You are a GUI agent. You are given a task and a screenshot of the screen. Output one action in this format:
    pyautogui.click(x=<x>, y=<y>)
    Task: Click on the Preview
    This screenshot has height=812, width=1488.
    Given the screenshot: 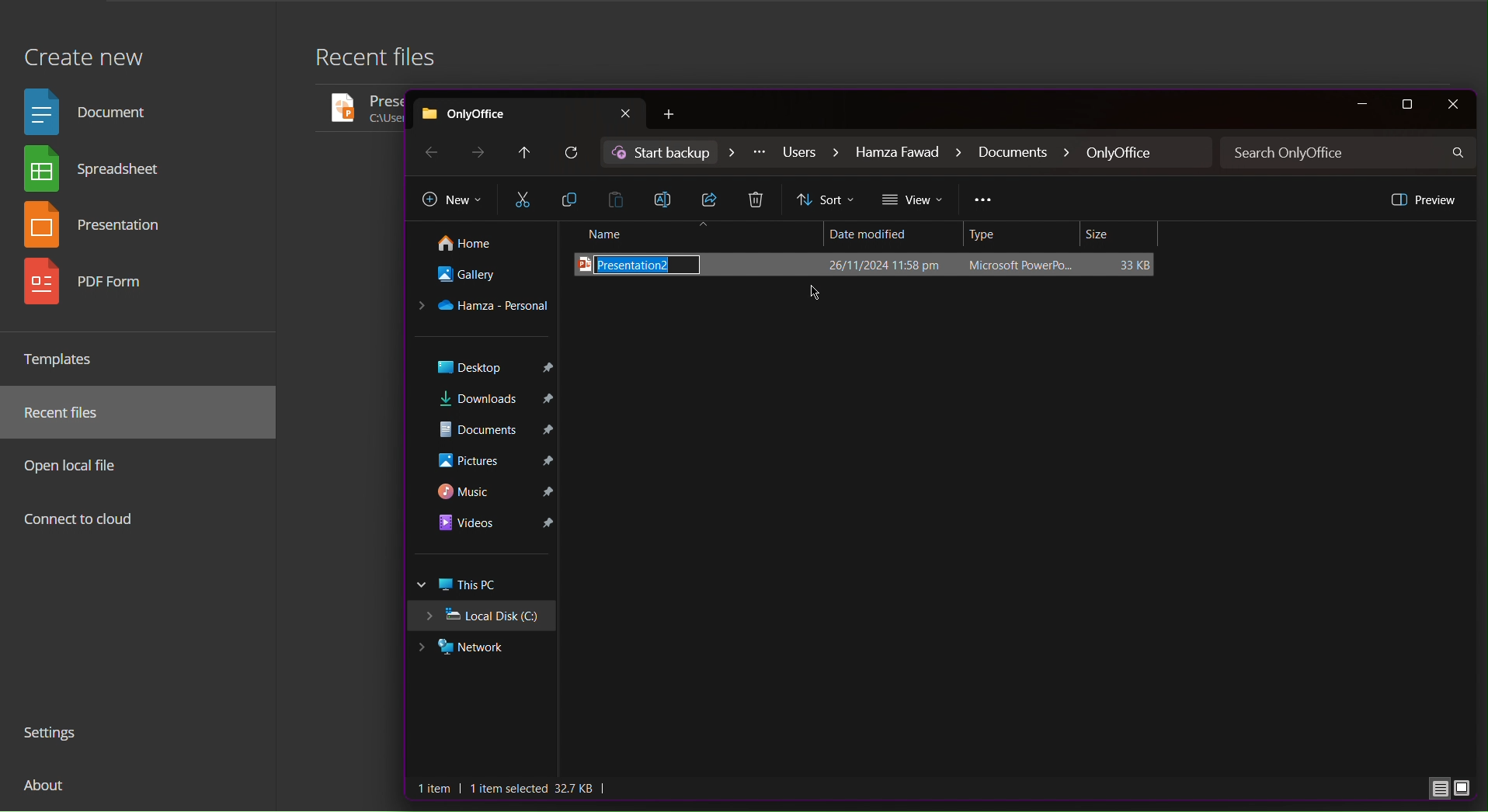 What is the action you would take?
    pyautogui.click(x=1422, y=199)
    